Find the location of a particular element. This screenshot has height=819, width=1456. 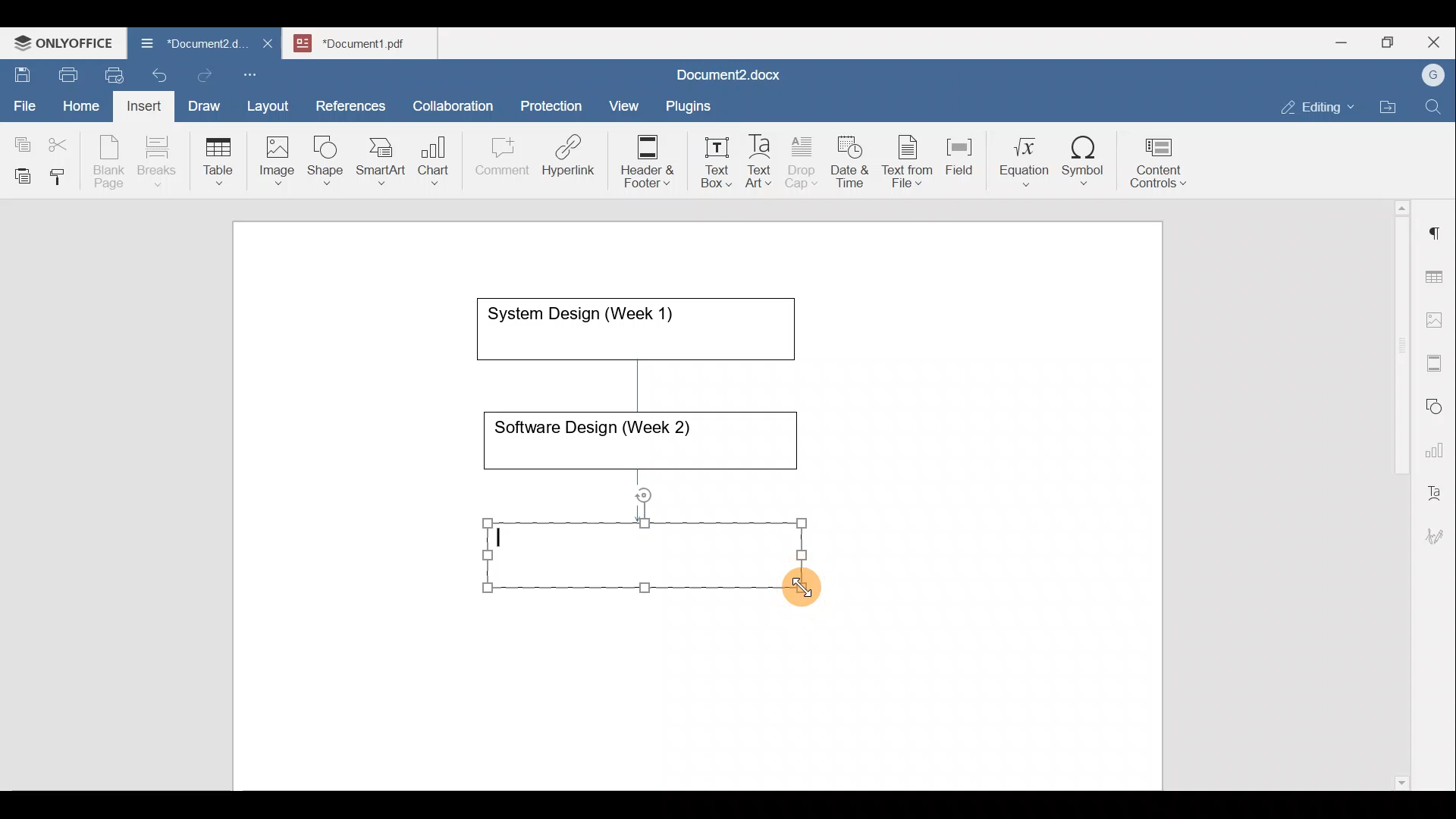

Text Art settings is located at coordinates (1436, 487).